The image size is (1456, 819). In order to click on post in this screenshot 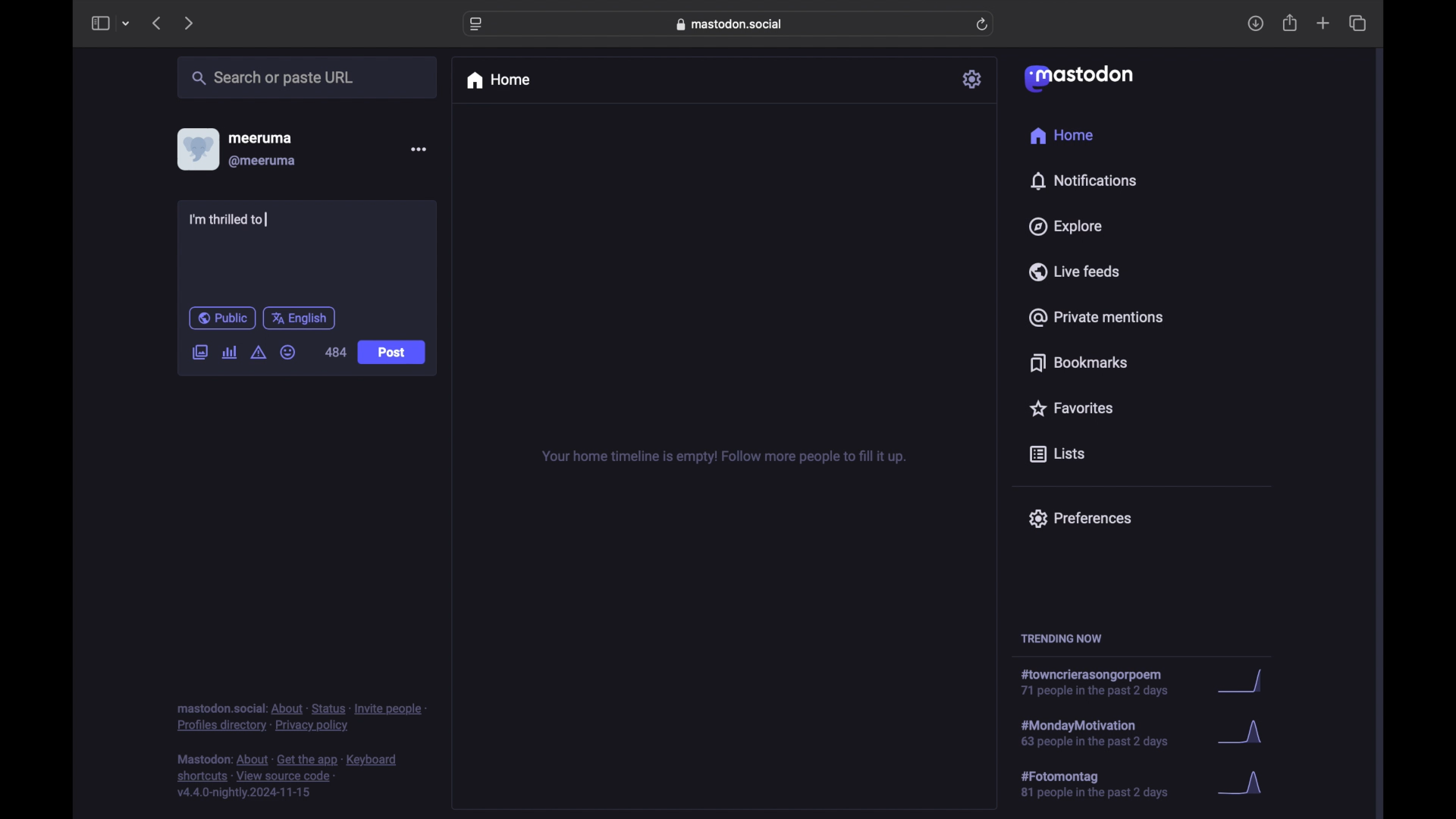, I will do `click(391, 353)`.